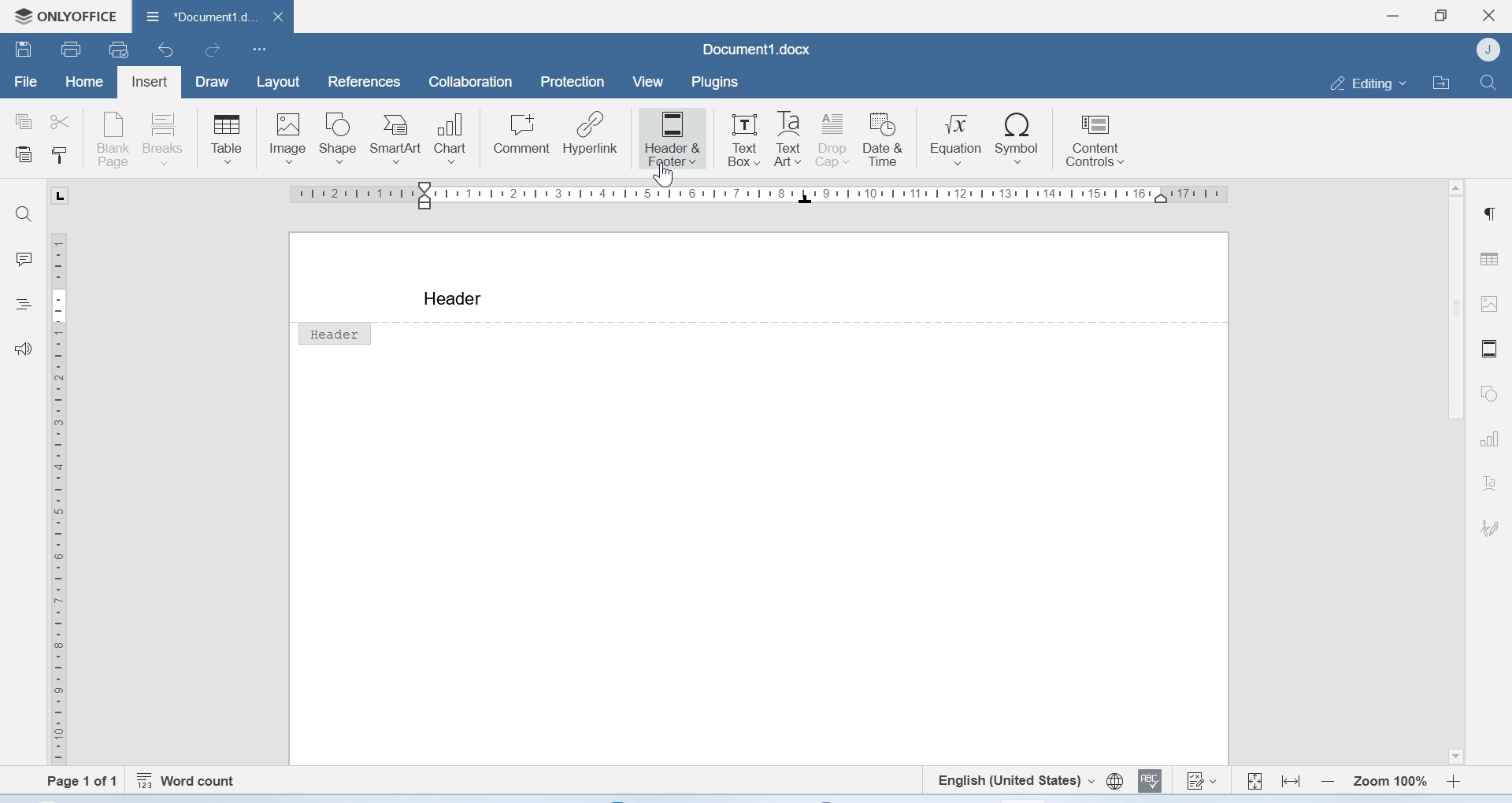  What do you see at coordinates (114, 138) in the screenshot?
I see `Blank page` at bounding box center [114, 138].